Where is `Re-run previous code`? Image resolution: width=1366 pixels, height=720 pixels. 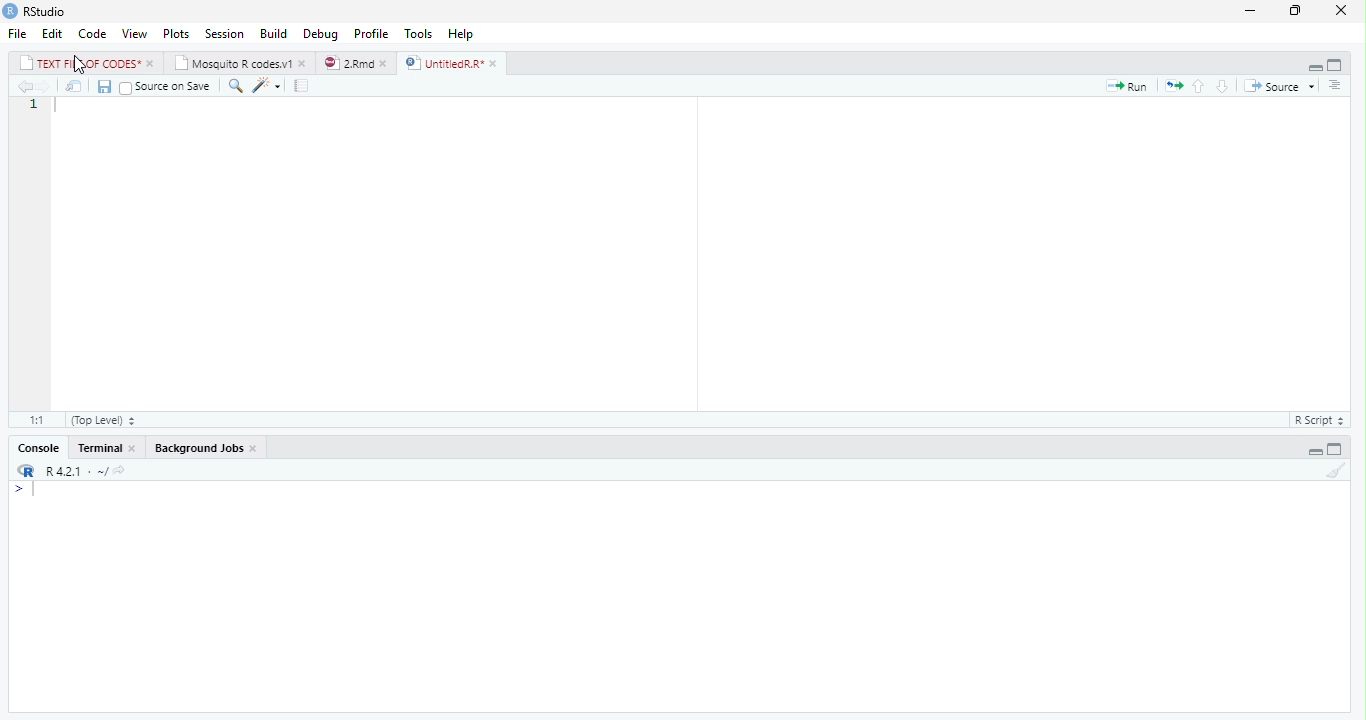 Re-run previous code is located at coordinates (1173, 85).